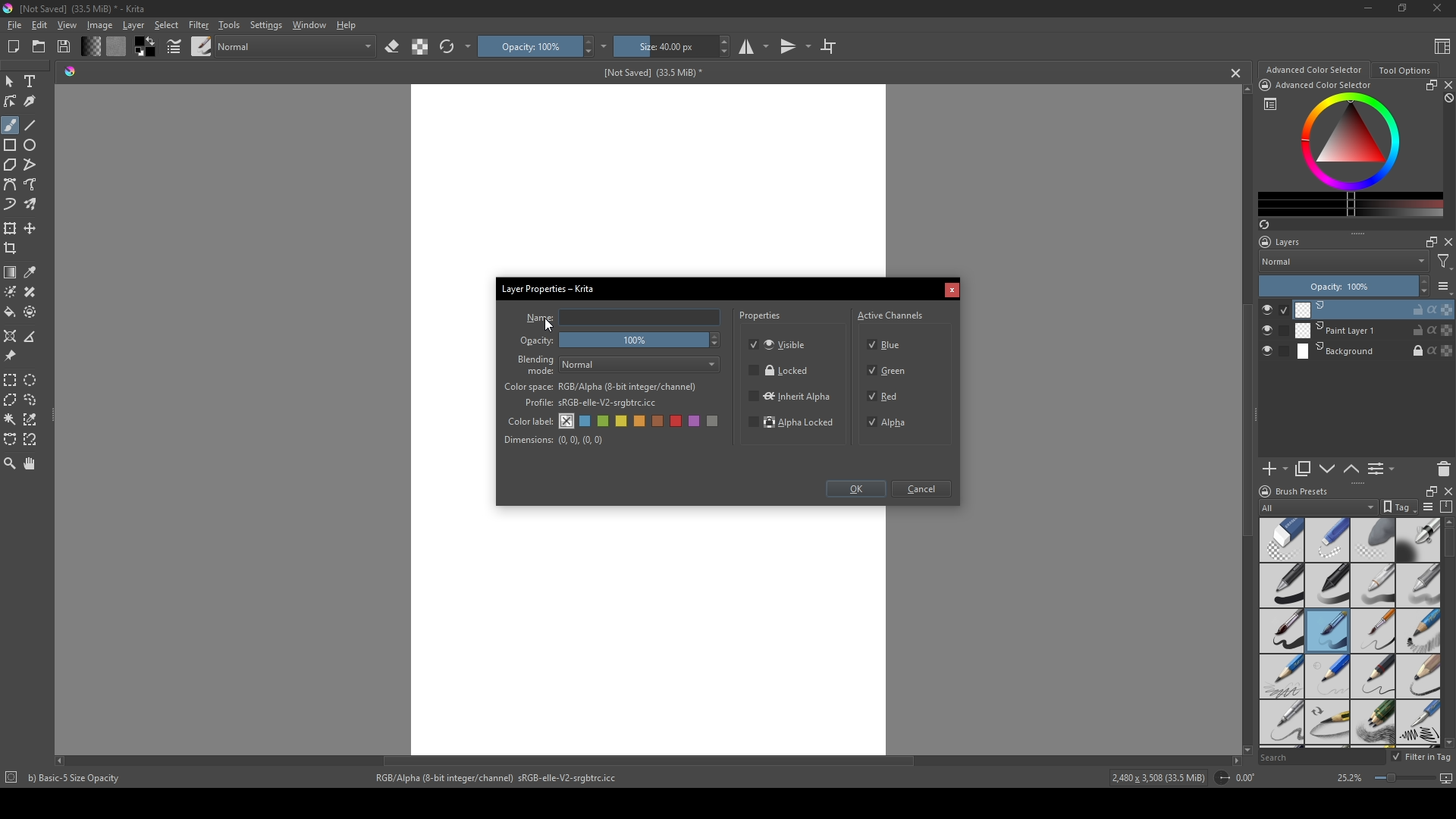 Image resolution: width=1456 pixels, height=819 pixels. I want to click on scroll down, so click(1447, 742).